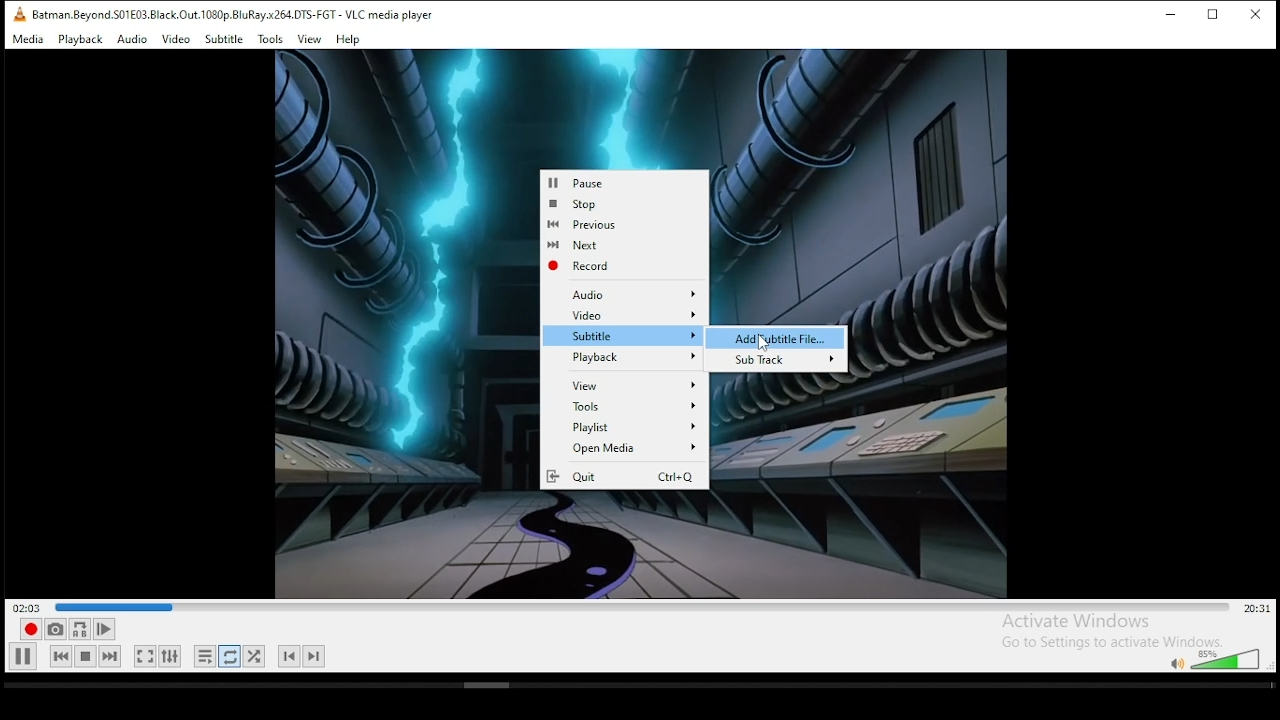 The width and height of the screenshot is (1280, 720). What do you see at coordinates (1176, 663) in the screenshot?
I see `mute/unmute` at bounding box center [1176, 663].